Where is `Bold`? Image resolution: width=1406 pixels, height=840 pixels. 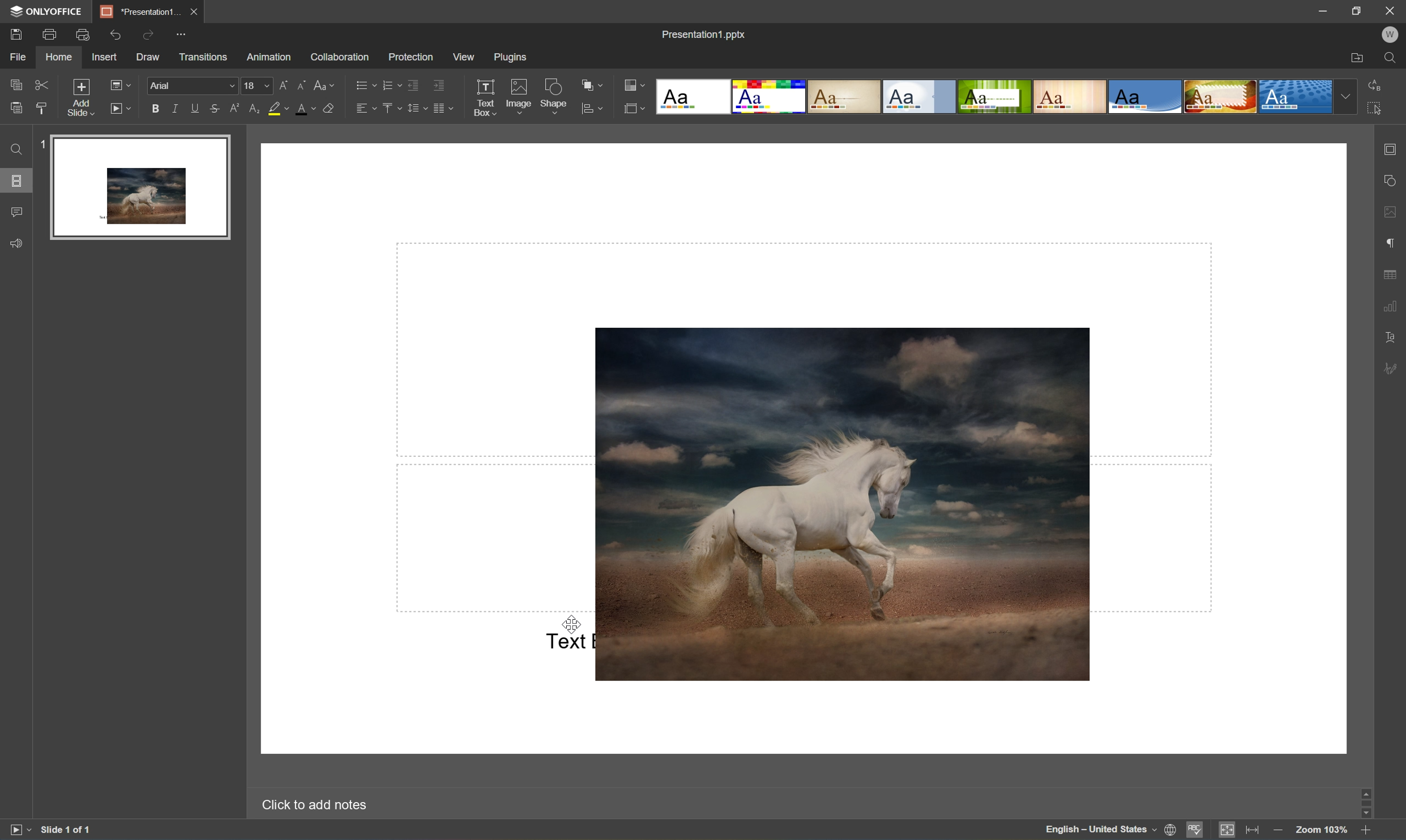
Bold is located at coordinates (154, 109).